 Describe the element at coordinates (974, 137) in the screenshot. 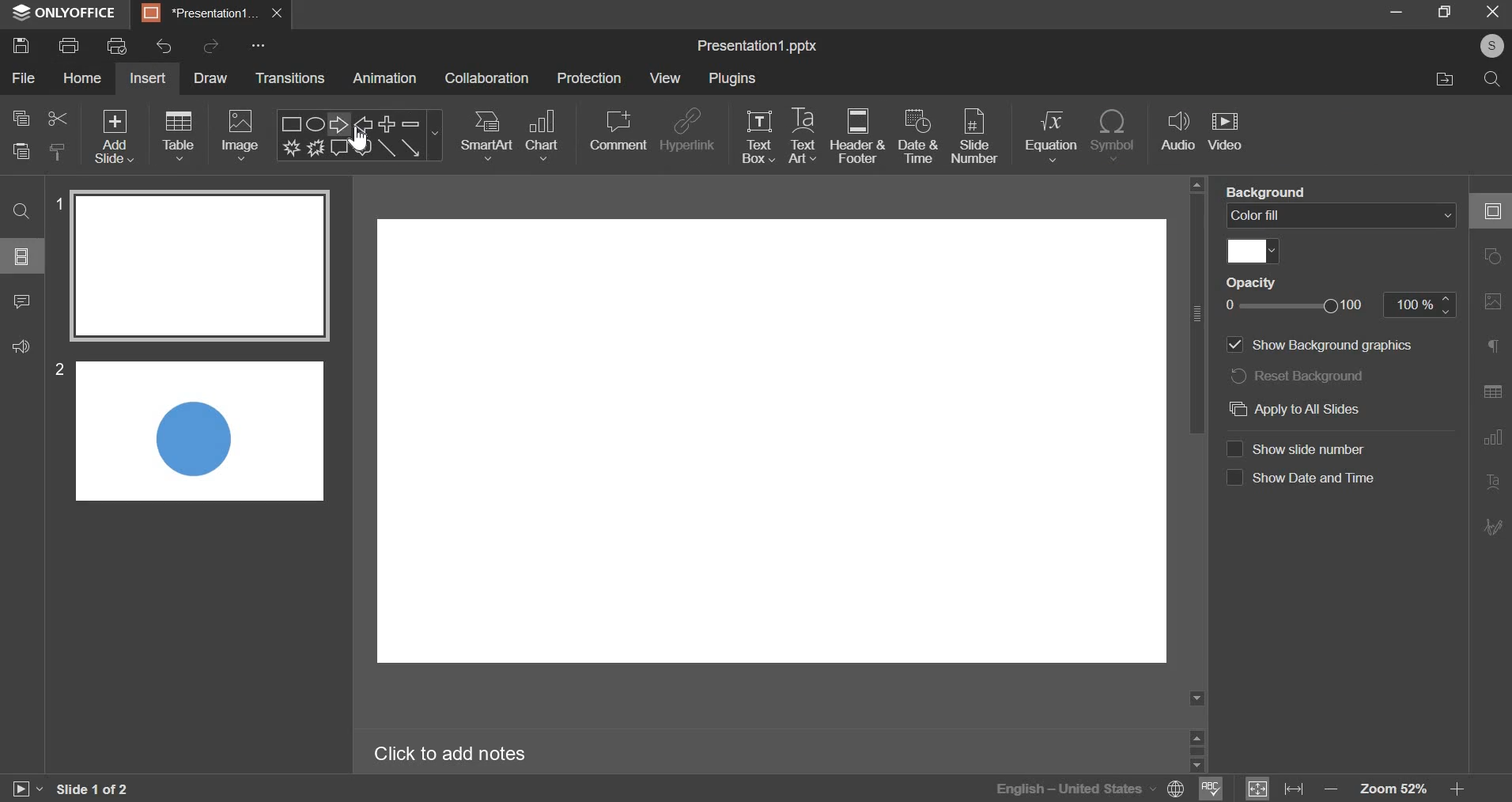

I see `slide number` at that location.